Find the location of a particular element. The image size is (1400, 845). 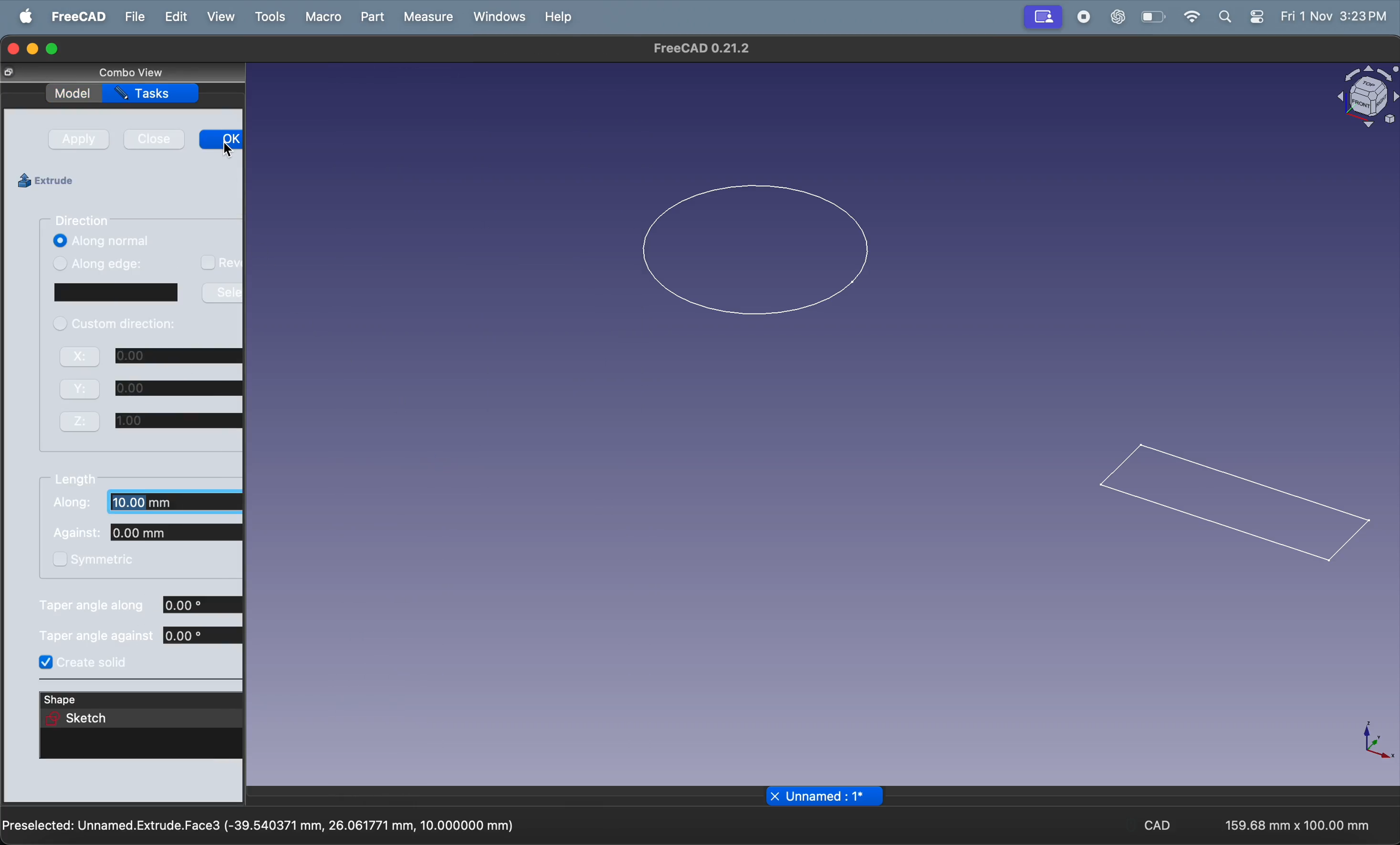

Z: is located at coordinates (80, 422).